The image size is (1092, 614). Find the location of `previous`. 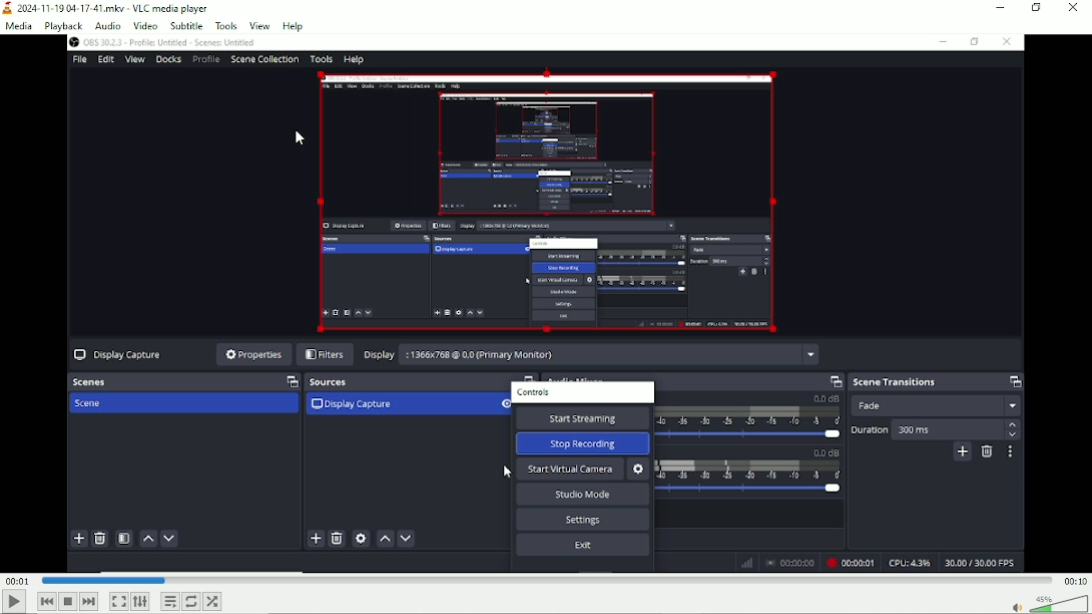

previous is located at coordinates (46, 602).